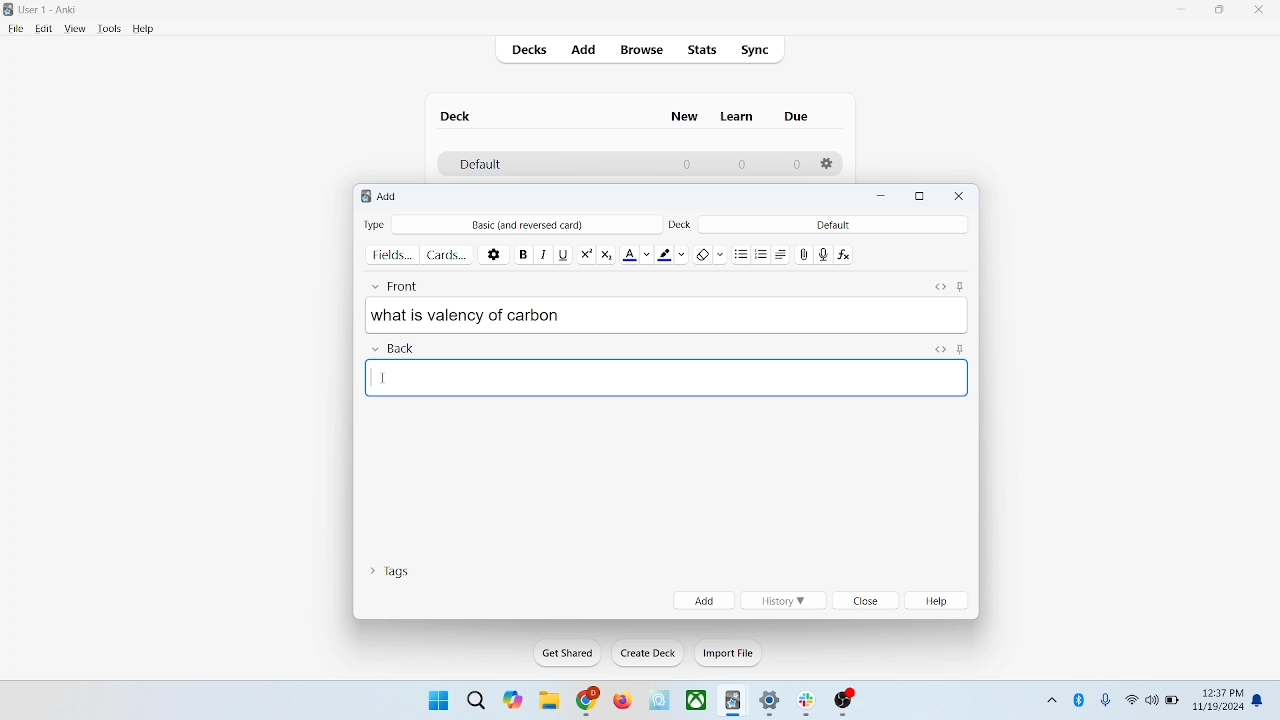 This screenshot has width=1280, height=720. I want to click on chrome, so click(588, 701).